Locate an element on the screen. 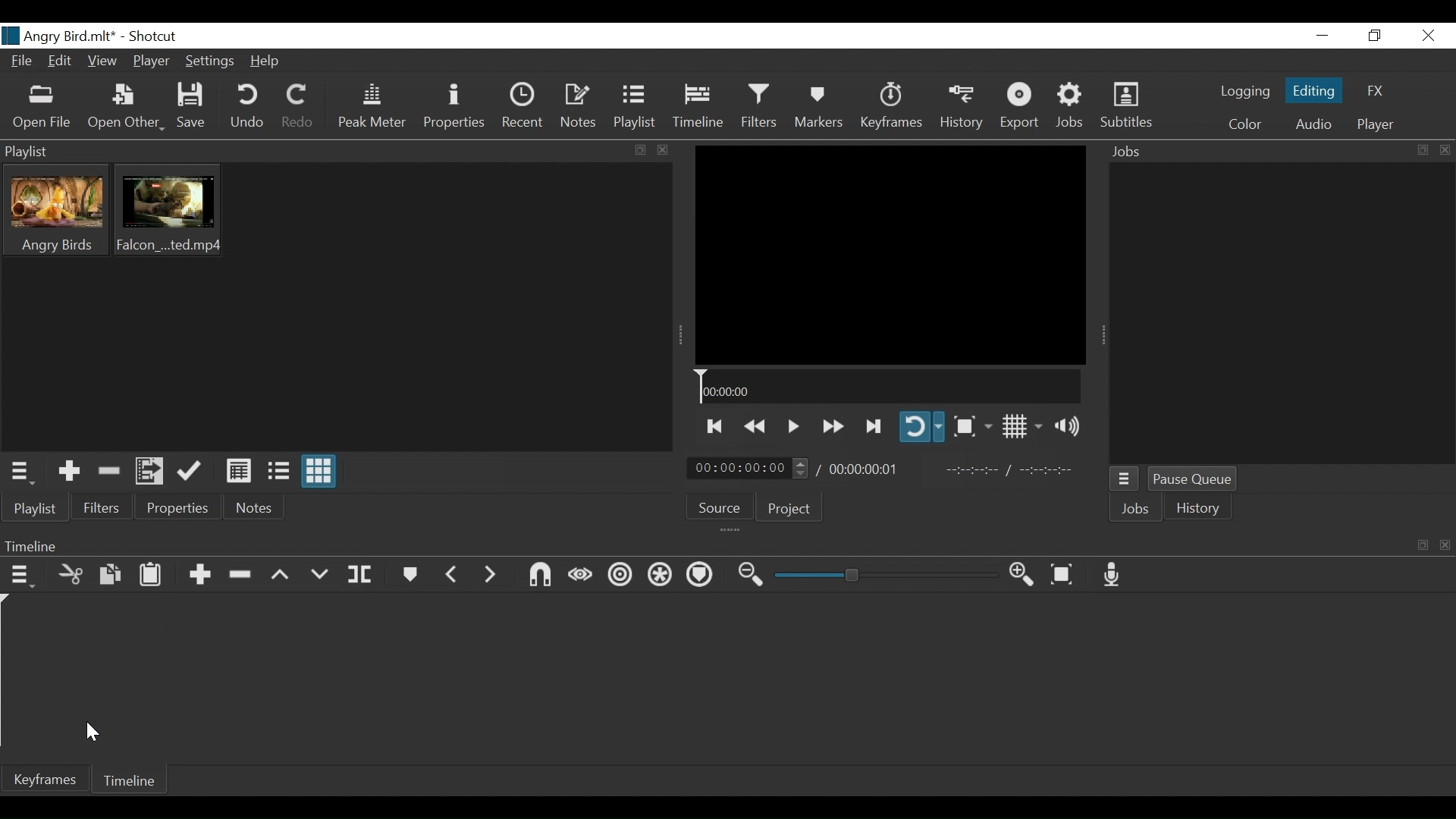 This screenshot has height=819, width=1456. logging is located at coordinates (1246, 92).